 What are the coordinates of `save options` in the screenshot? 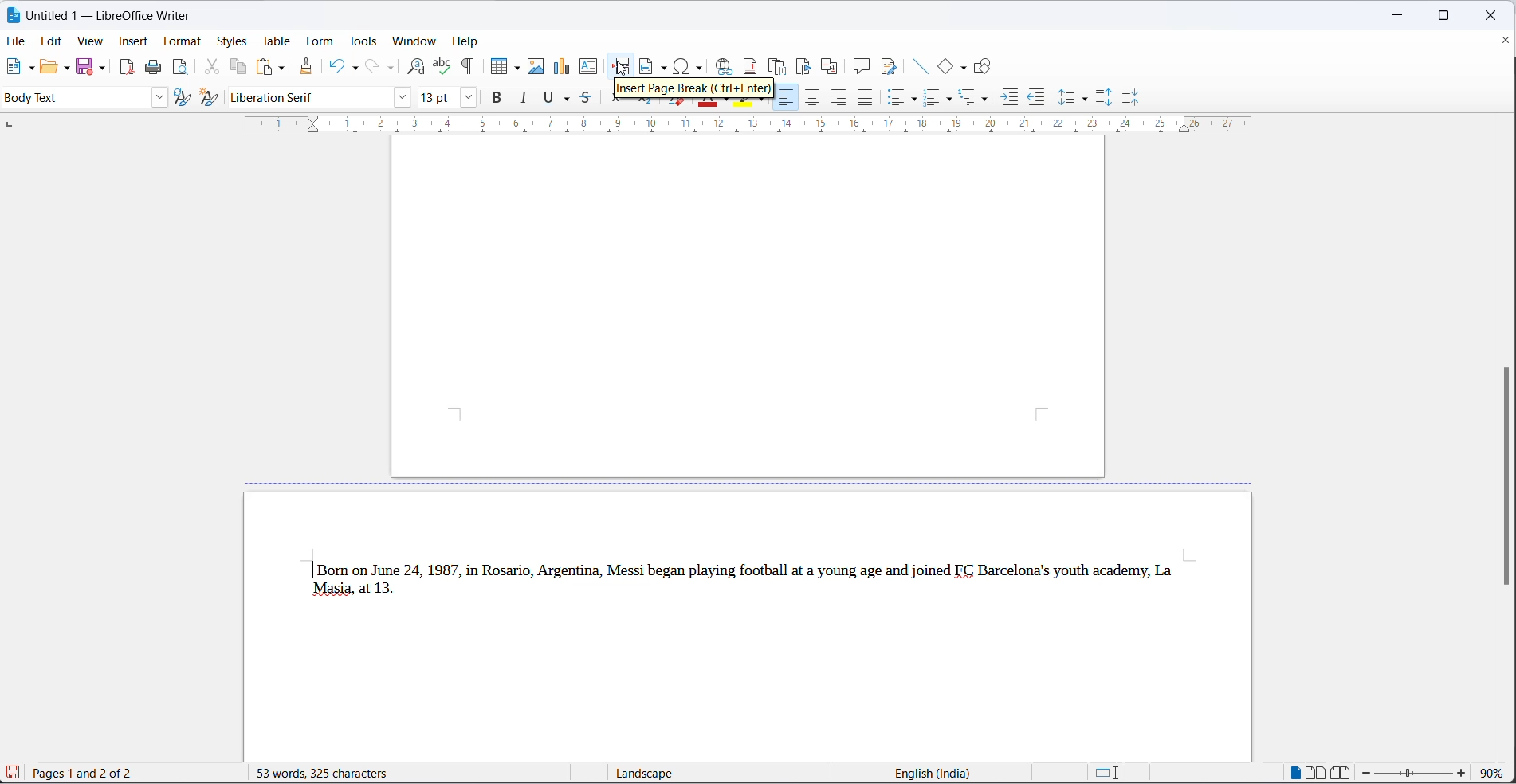 It's located at (101, 69).